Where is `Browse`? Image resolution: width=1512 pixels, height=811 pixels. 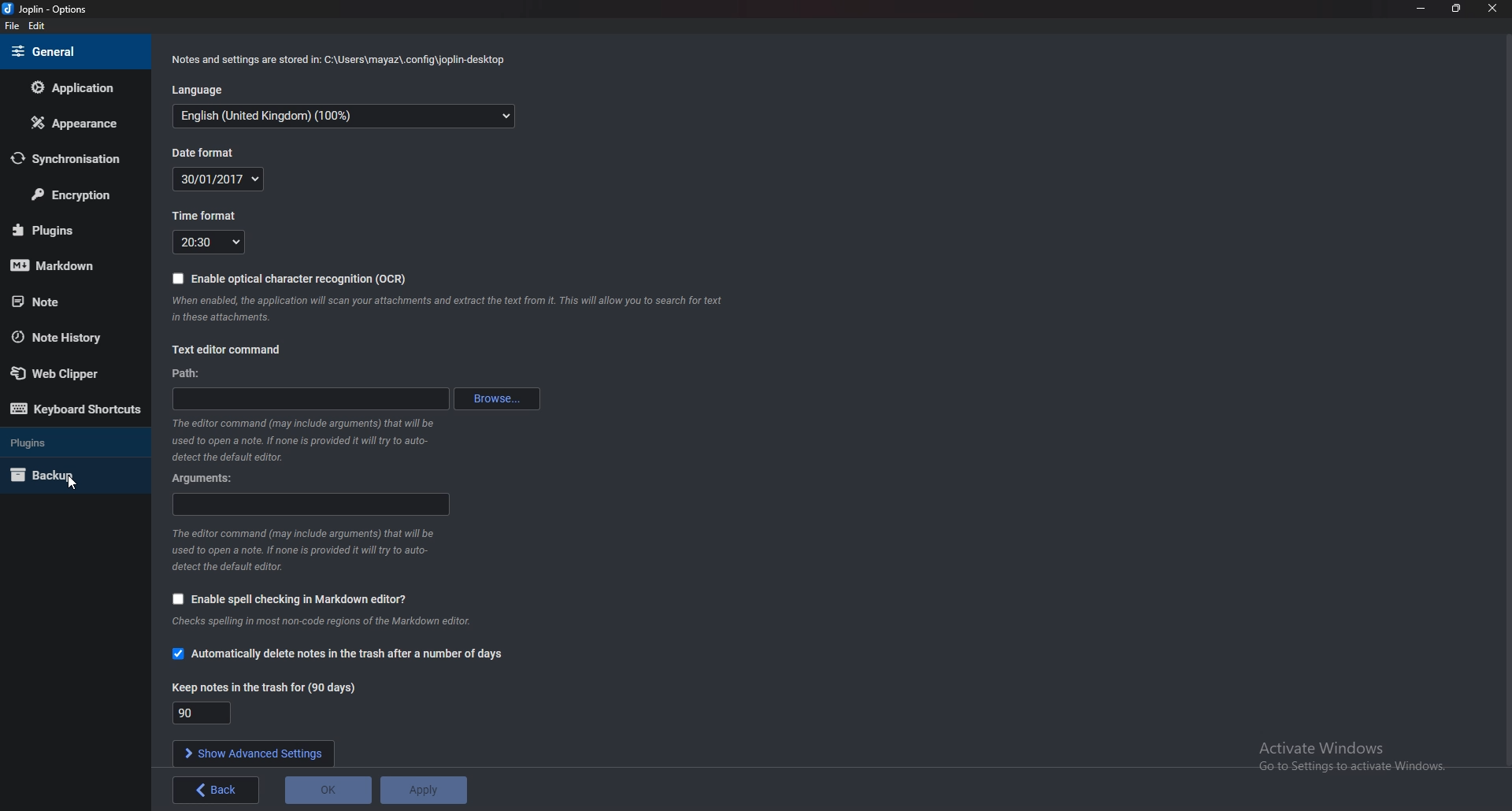 Browse is located at coordinates (498, 399).